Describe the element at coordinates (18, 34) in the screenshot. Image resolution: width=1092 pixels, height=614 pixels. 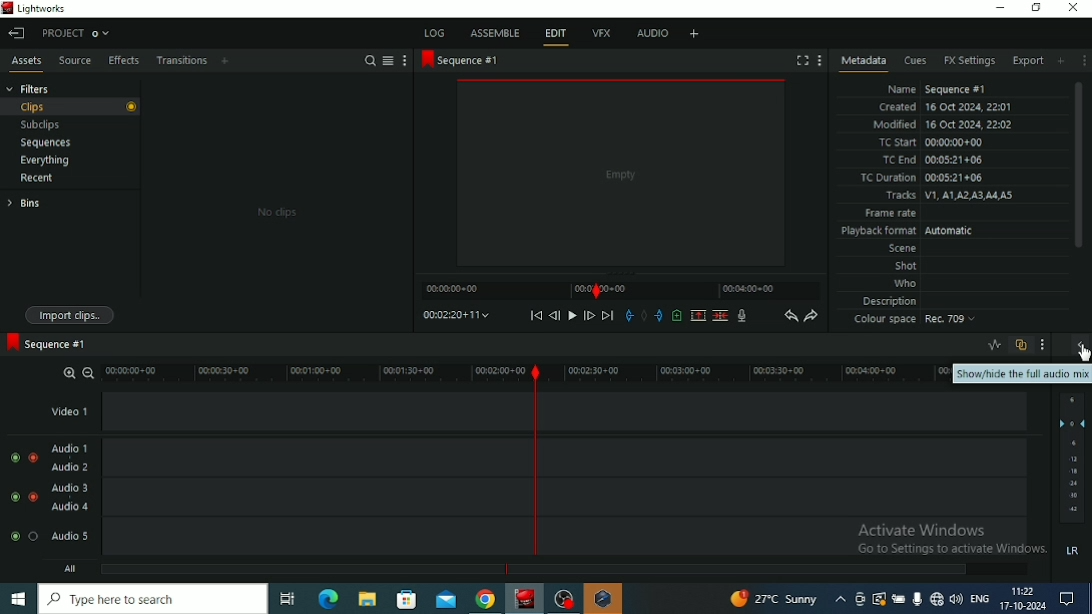
I see `Exit the current project and return to the project browser` at that location.